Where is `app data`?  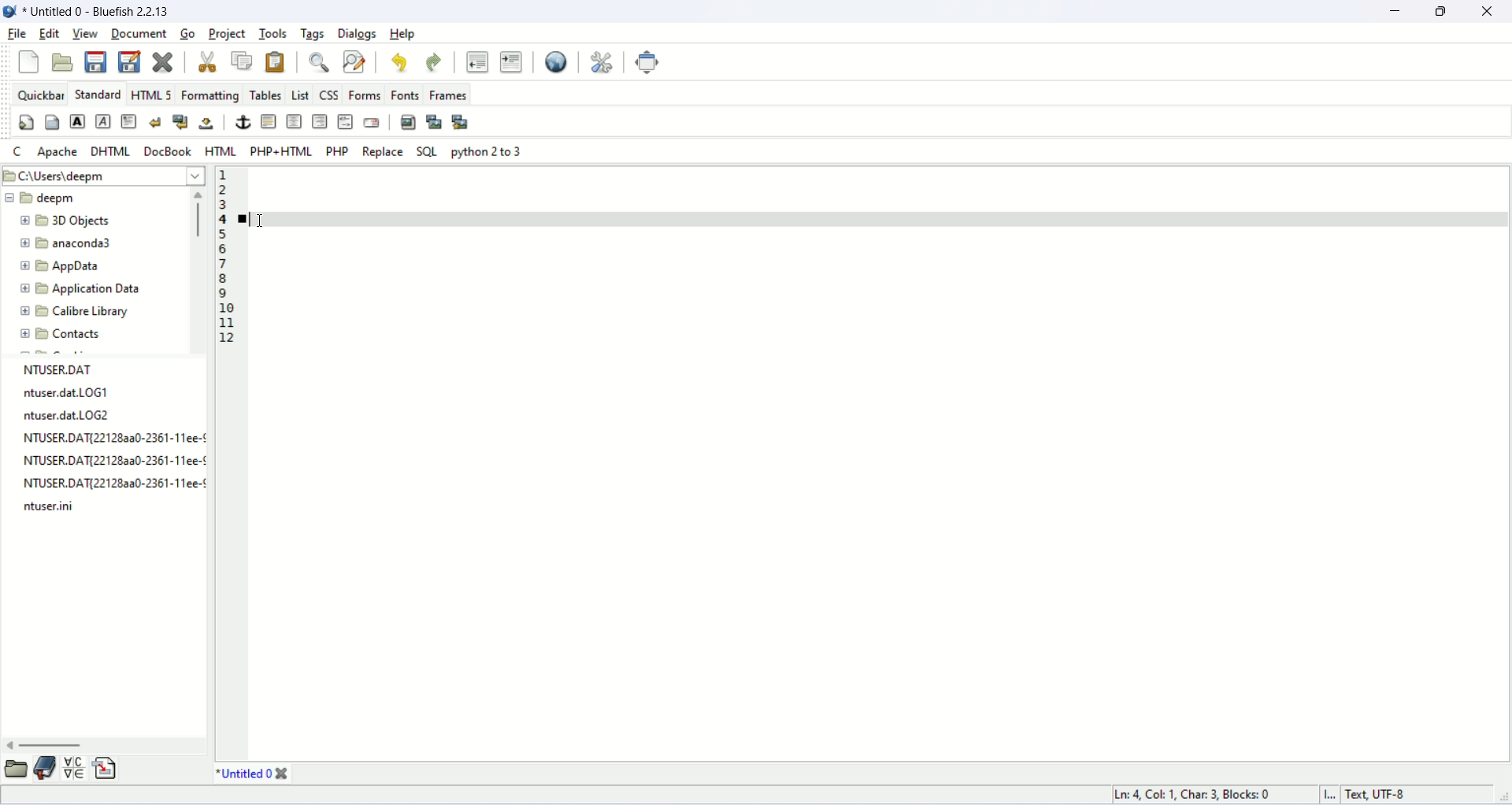 app data is located at coordinates (61, 265).